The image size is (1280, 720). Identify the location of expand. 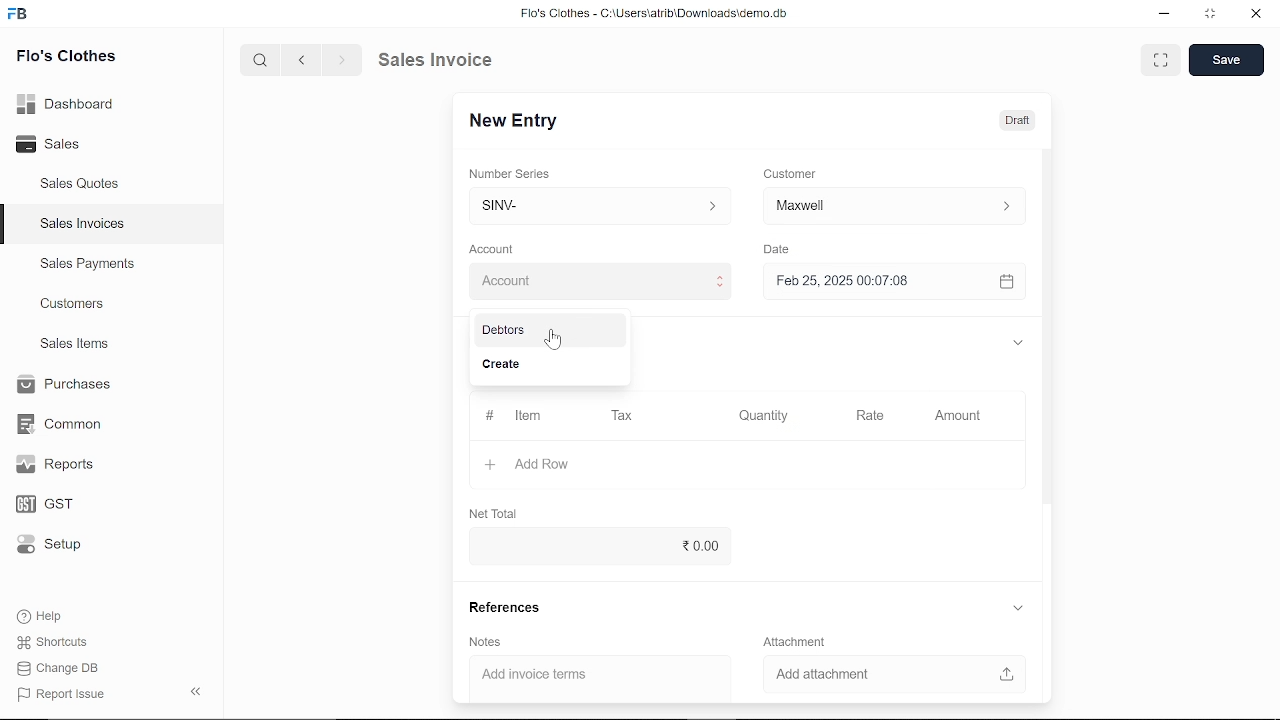
(1020, 608).